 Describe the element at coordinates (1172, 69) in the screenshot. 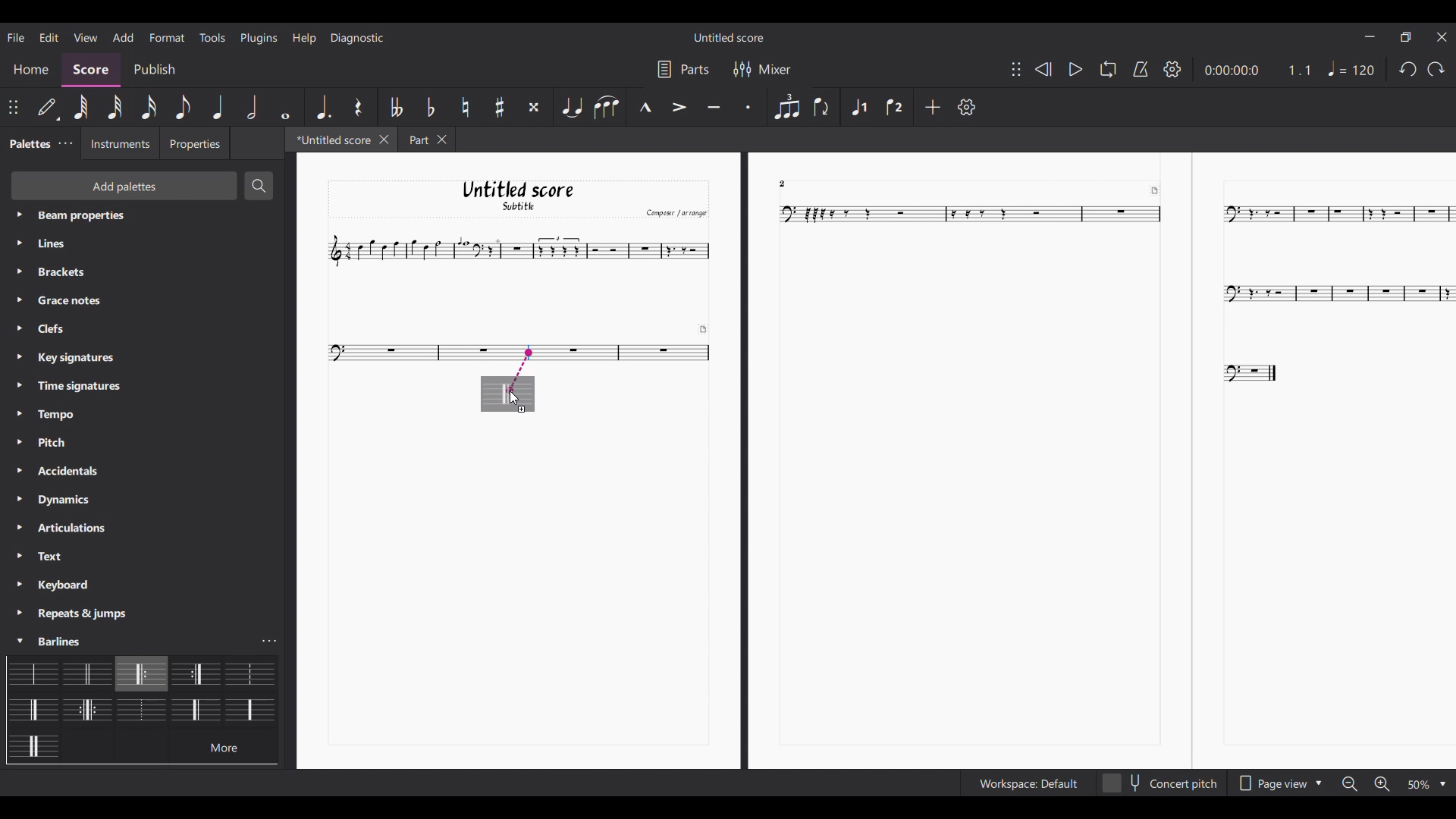

I see `Settings` at that location.